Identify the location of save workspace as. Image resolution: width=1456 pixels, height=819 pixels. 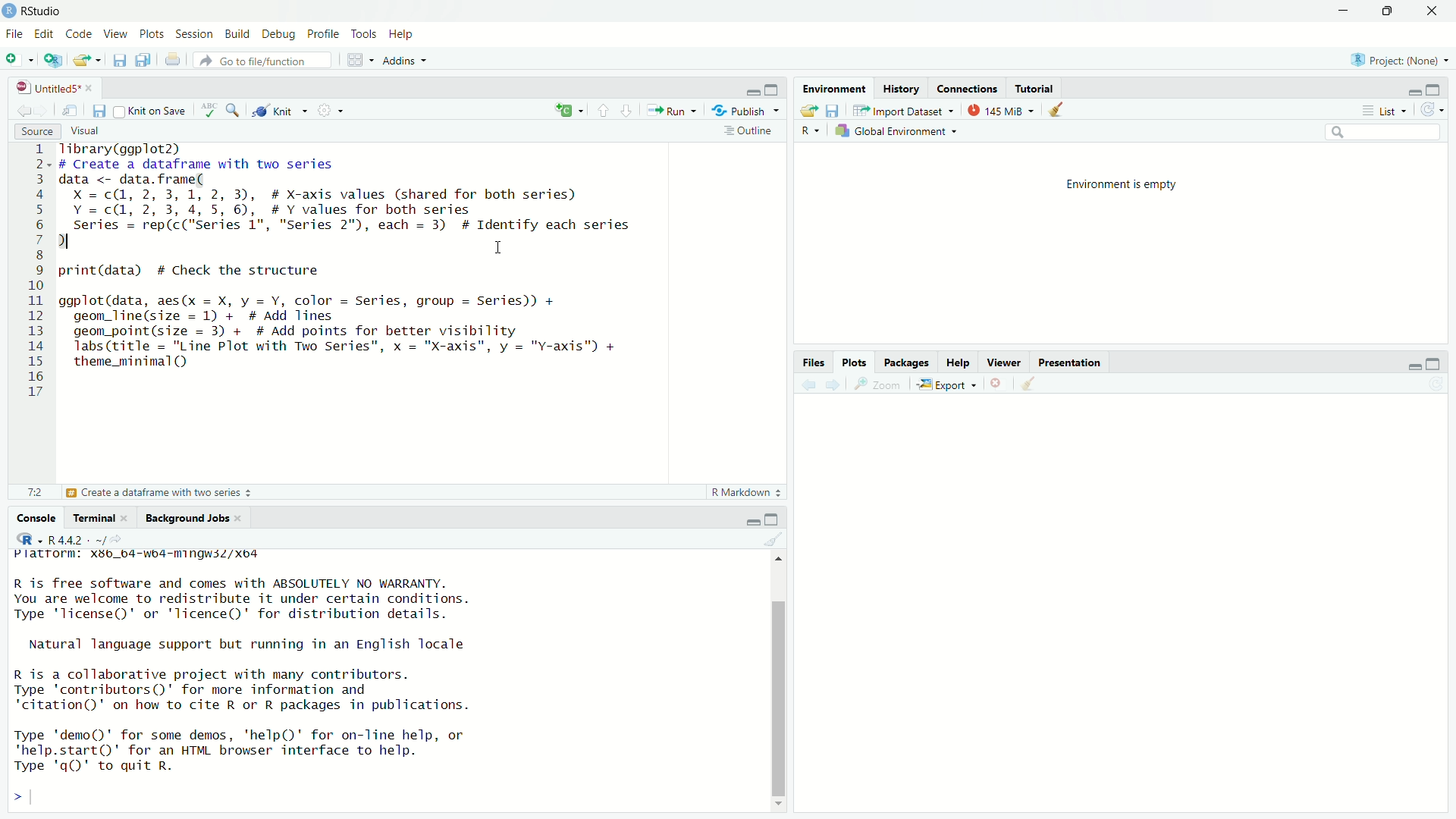
(833, 111).